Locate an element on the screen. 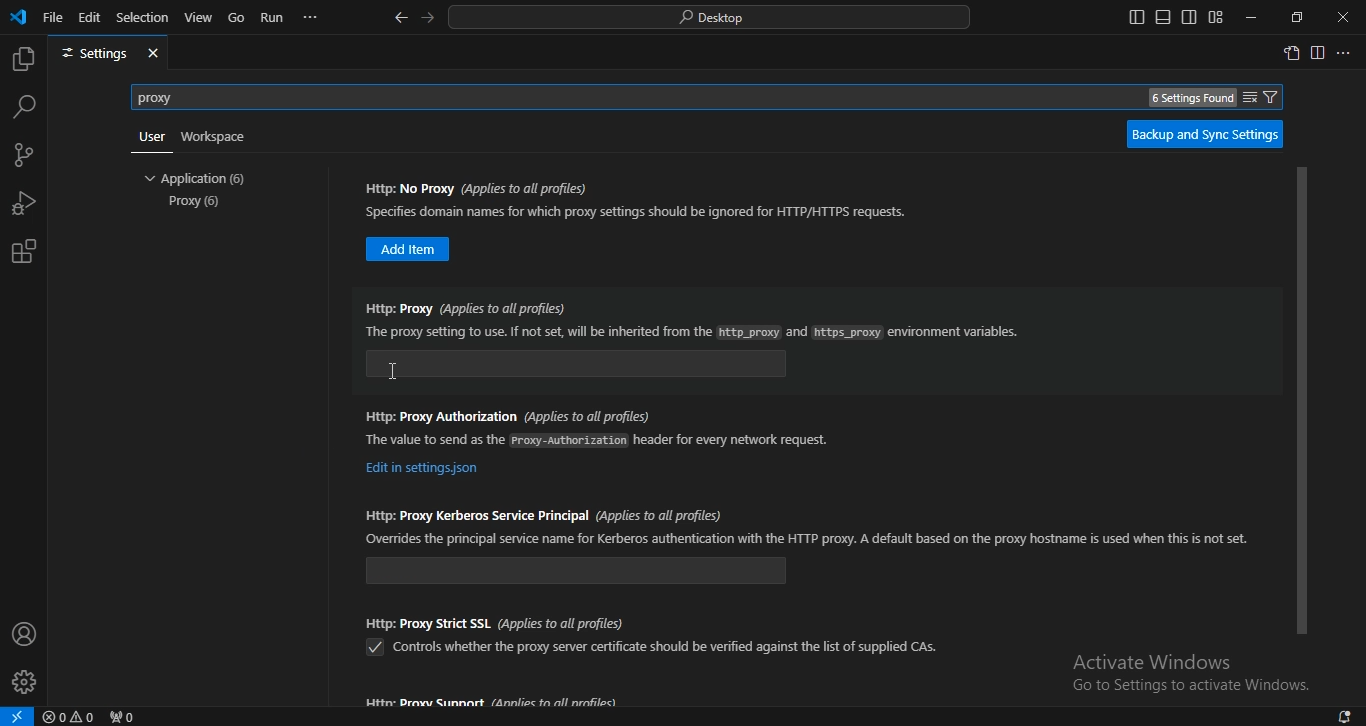 The image size is (1366, 726). go forward is located at coordinates (426, 19).